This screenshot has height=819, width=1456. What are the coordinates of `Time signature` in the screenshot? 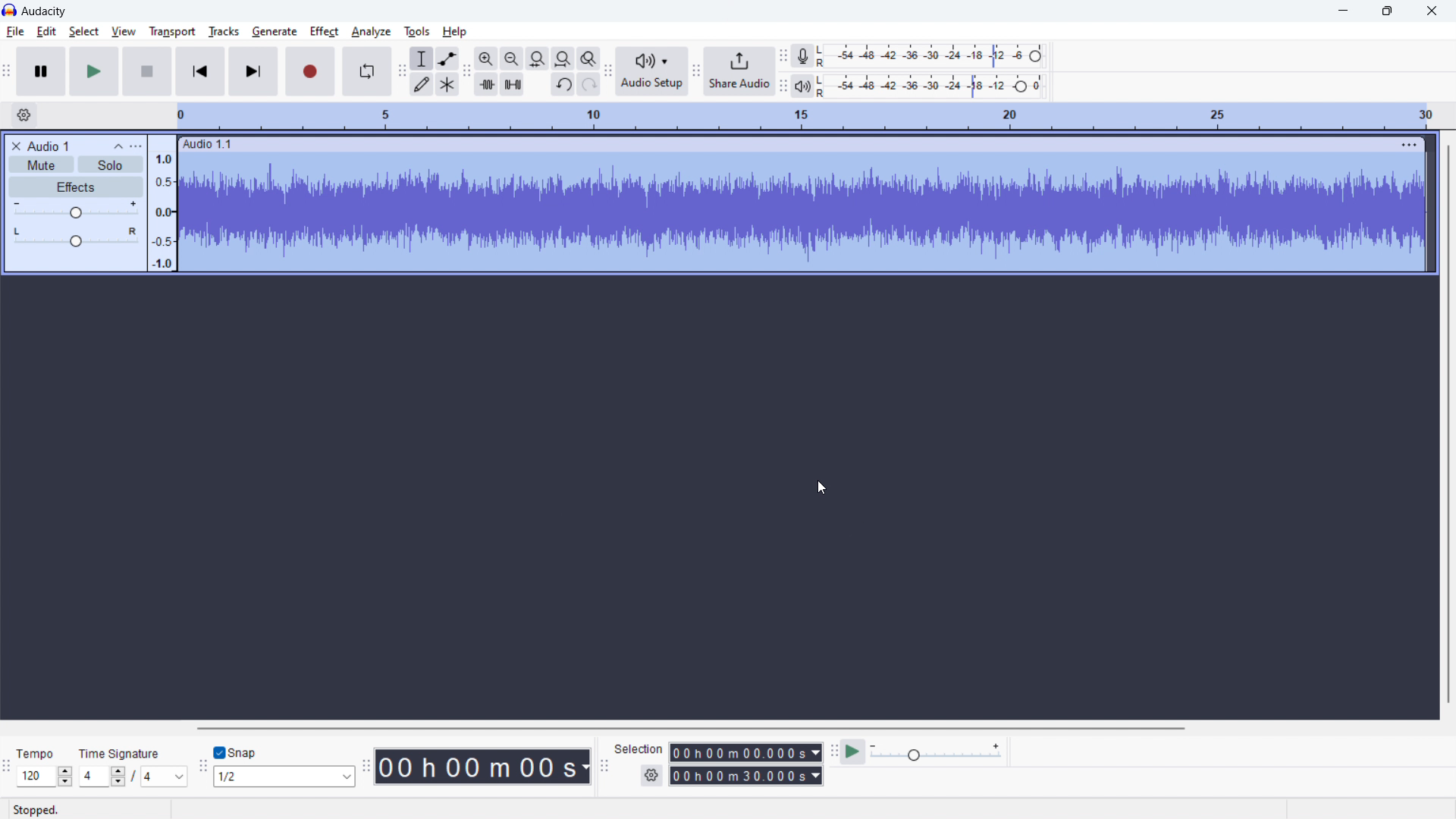 It's located at (122, 752).